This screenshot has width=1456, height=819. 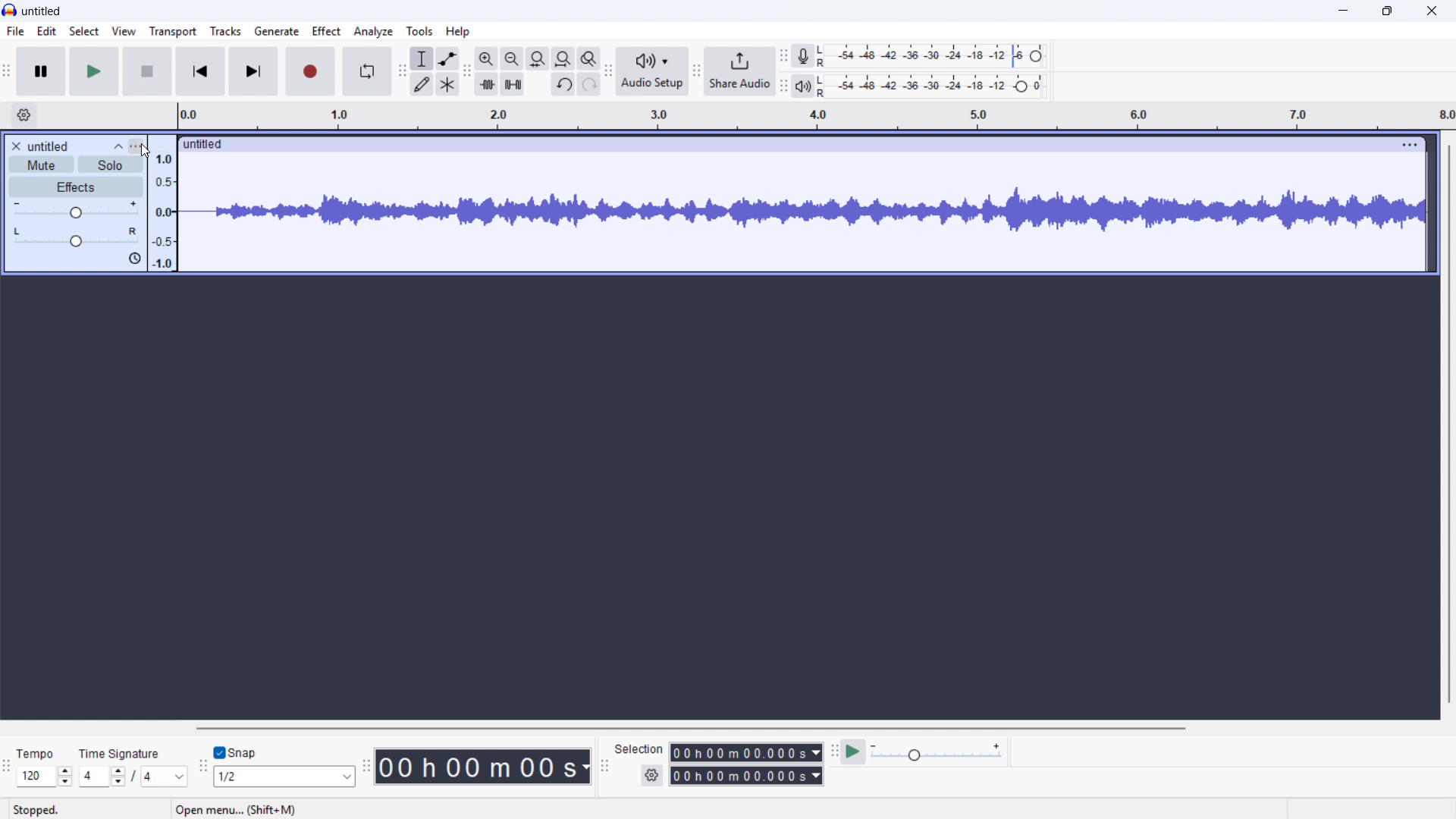 What do you see at coordinates (172, 32) in the screenshot?
I see `Transport ` at bounding box center [172, 32].